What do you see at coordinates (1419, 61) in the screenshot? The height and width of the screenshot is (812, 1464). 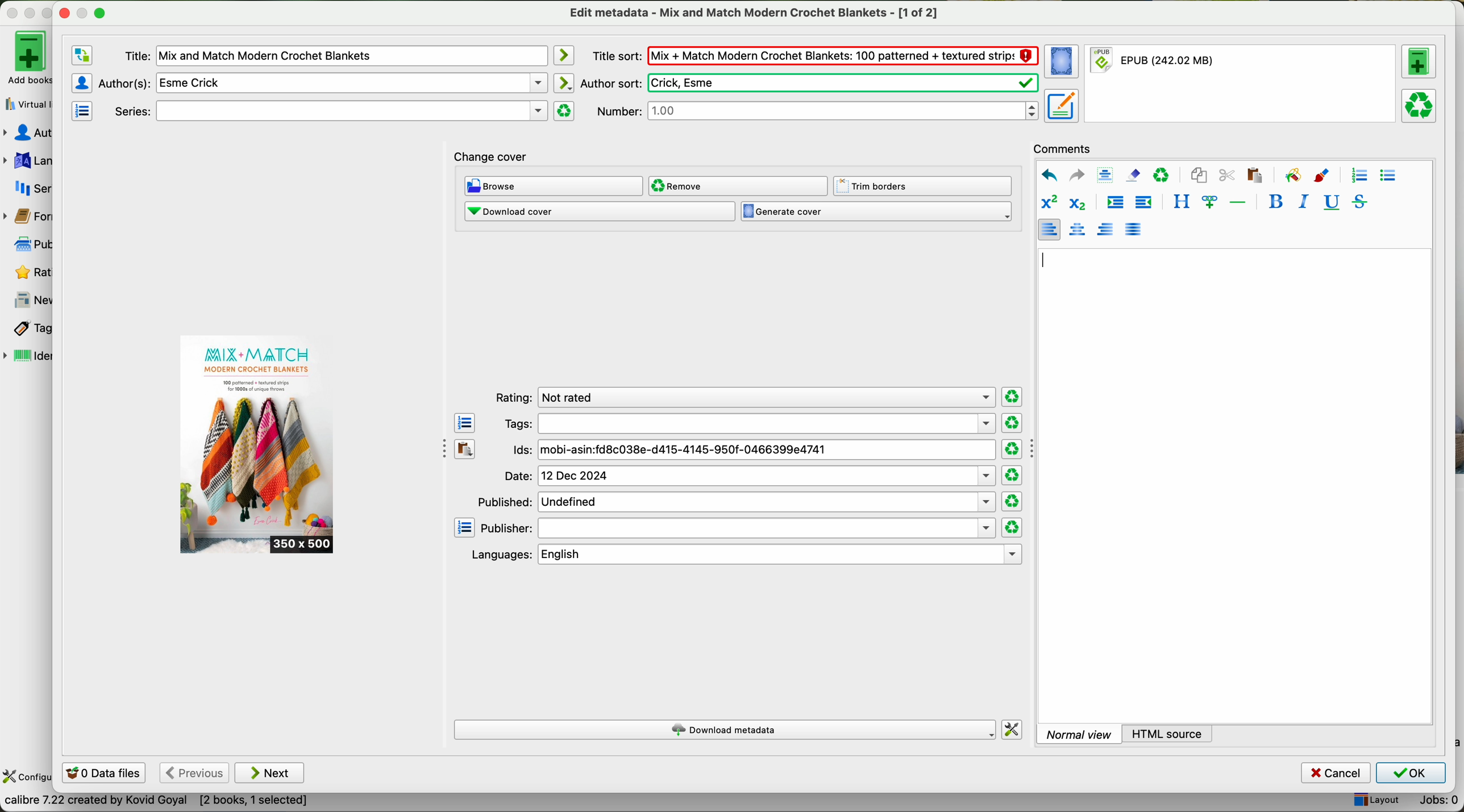 I see `add a format to this book` at bounding box center [1419, 61].